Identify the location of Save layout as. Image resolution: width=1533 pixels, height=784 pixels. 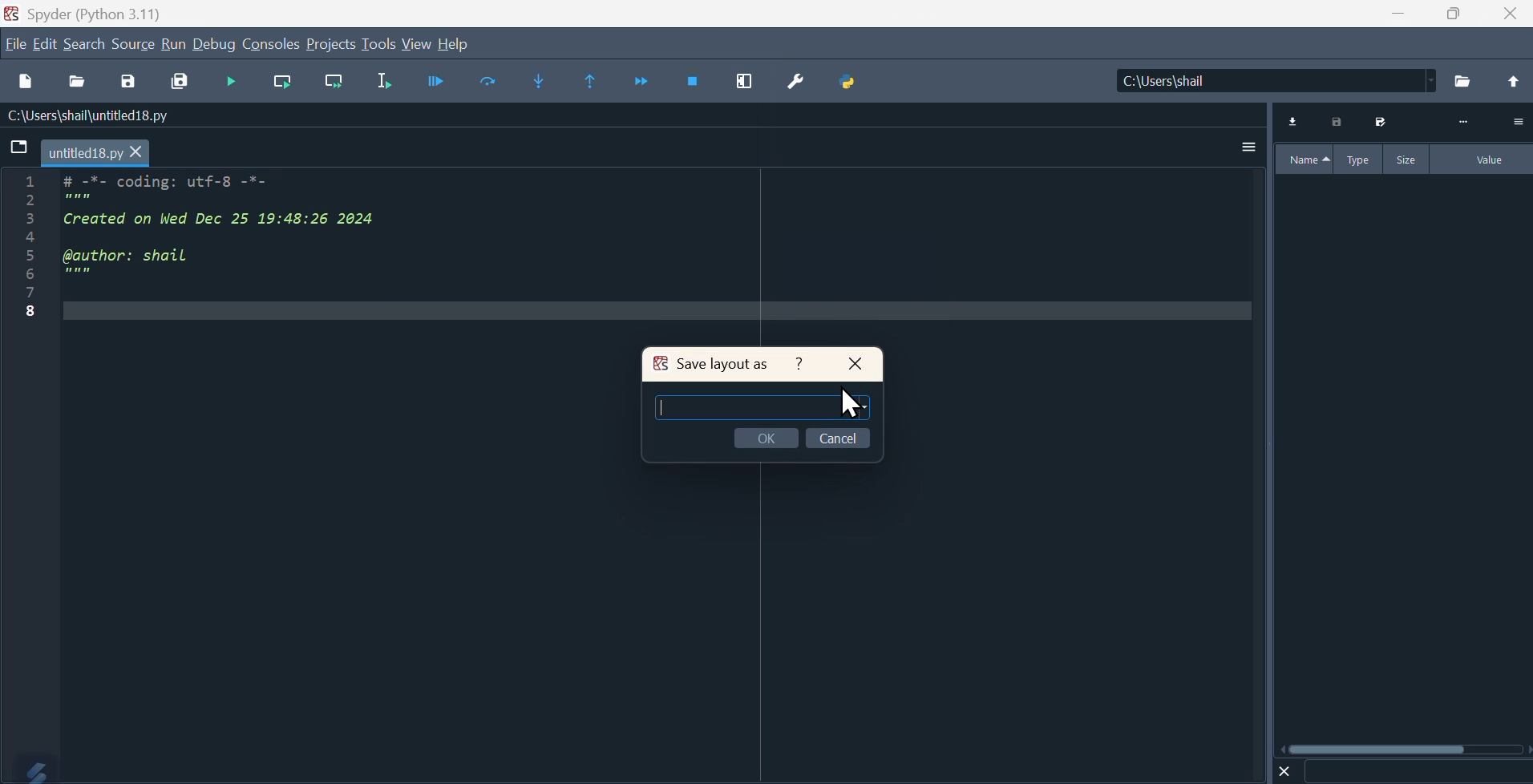
(710, 364).